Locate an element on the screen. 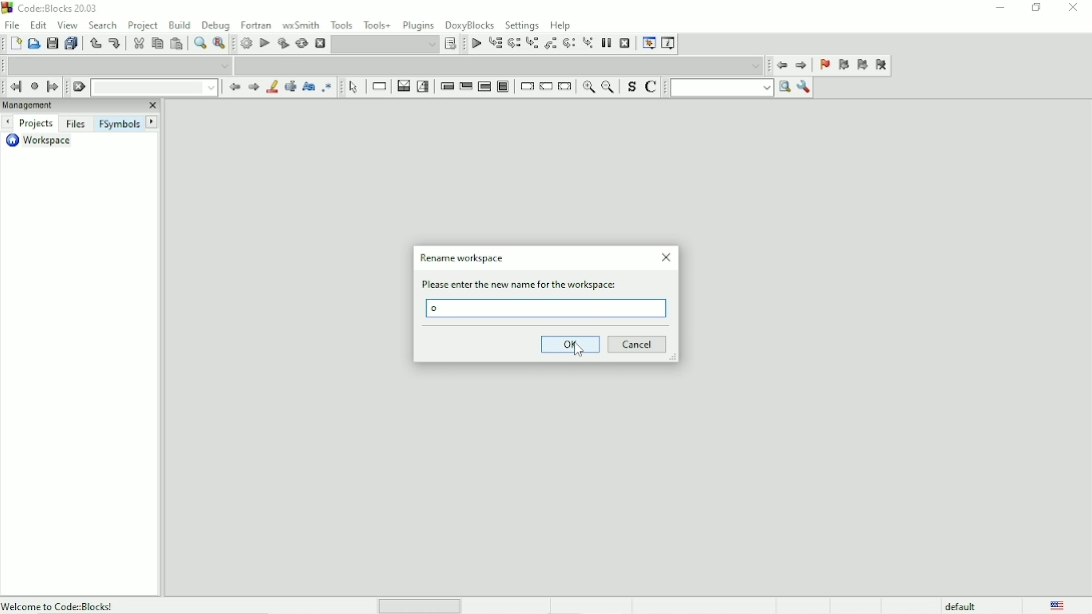 This screenshot has width=1092, height=614. Step into instruction is located at coordinates (588, 44).